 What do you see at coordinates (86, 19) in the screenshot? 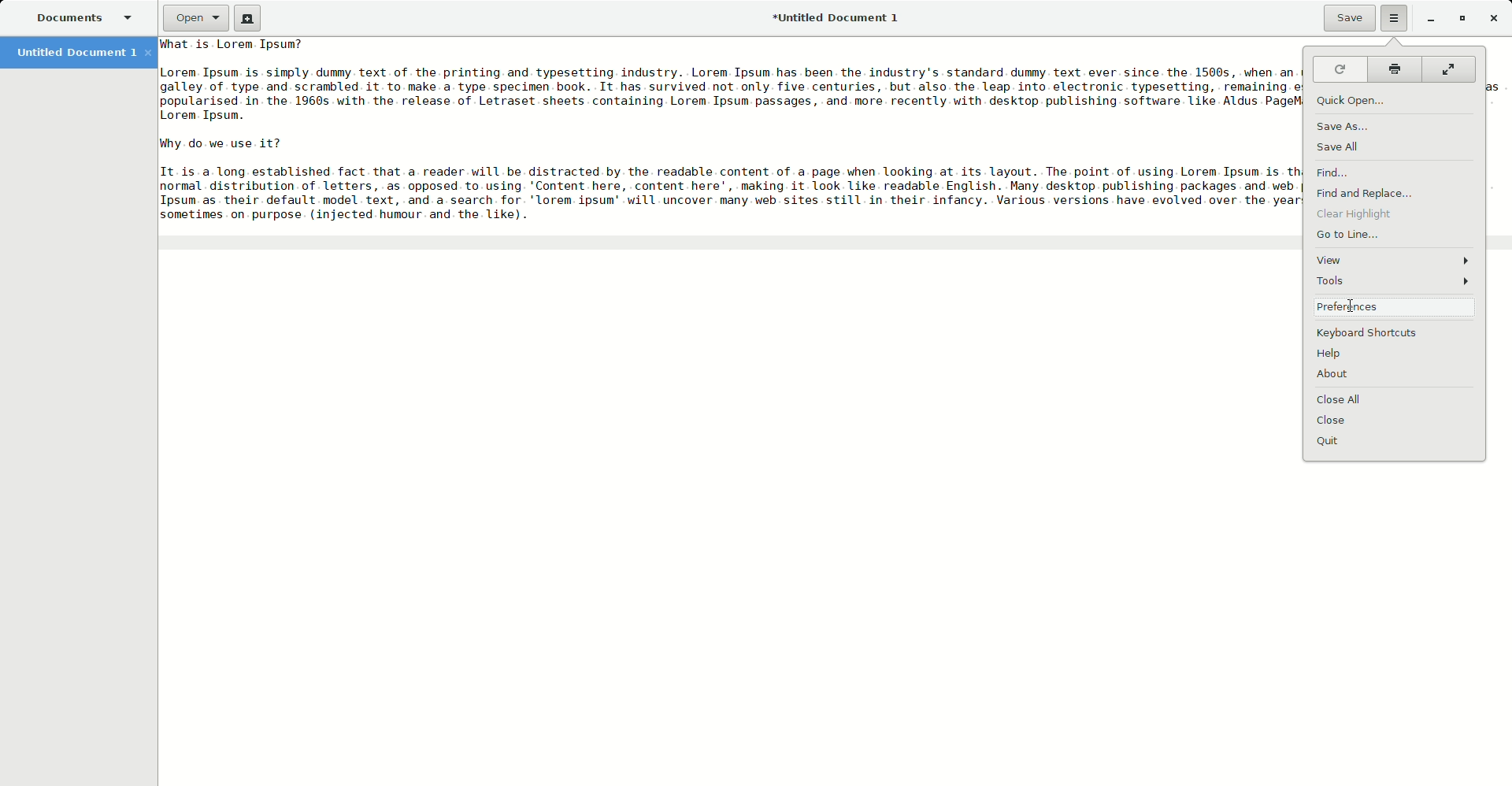
I see `Documents` at bounding box center [86, 19].